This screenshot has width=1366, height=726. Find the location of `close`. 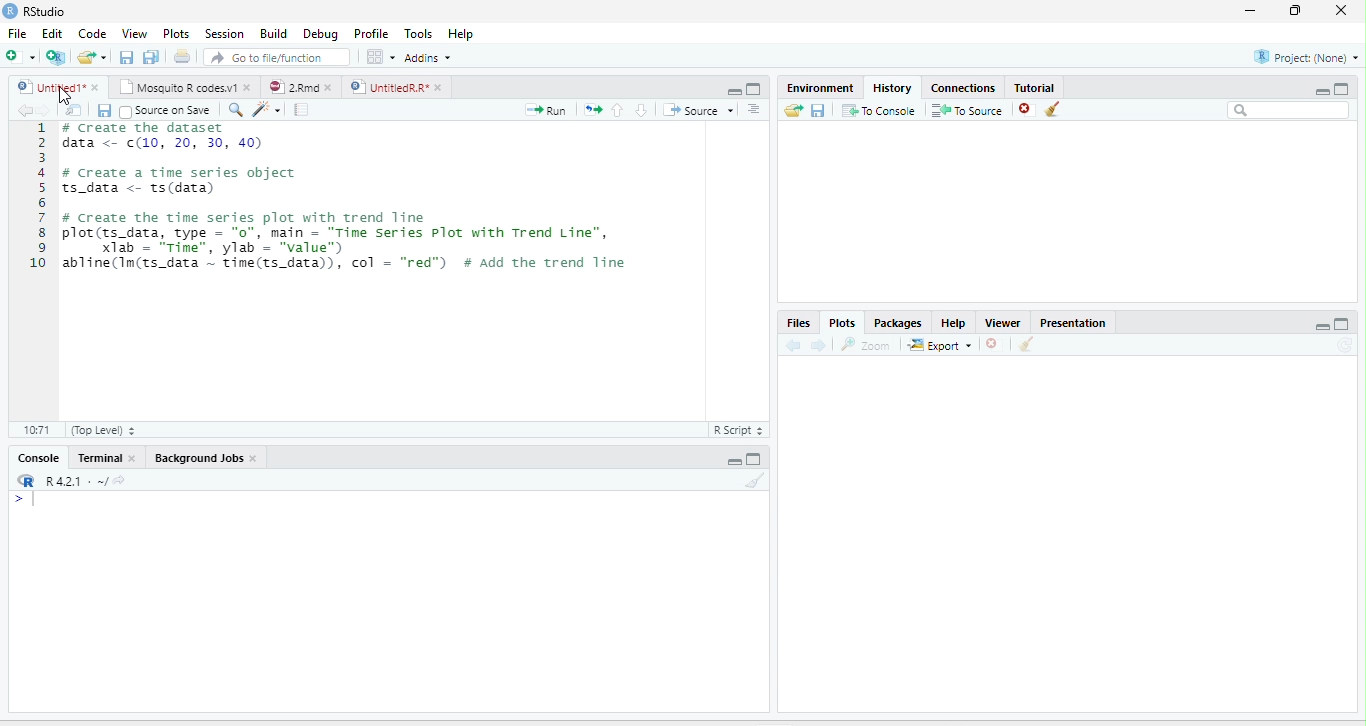

close is located at coordinates (329, 87).